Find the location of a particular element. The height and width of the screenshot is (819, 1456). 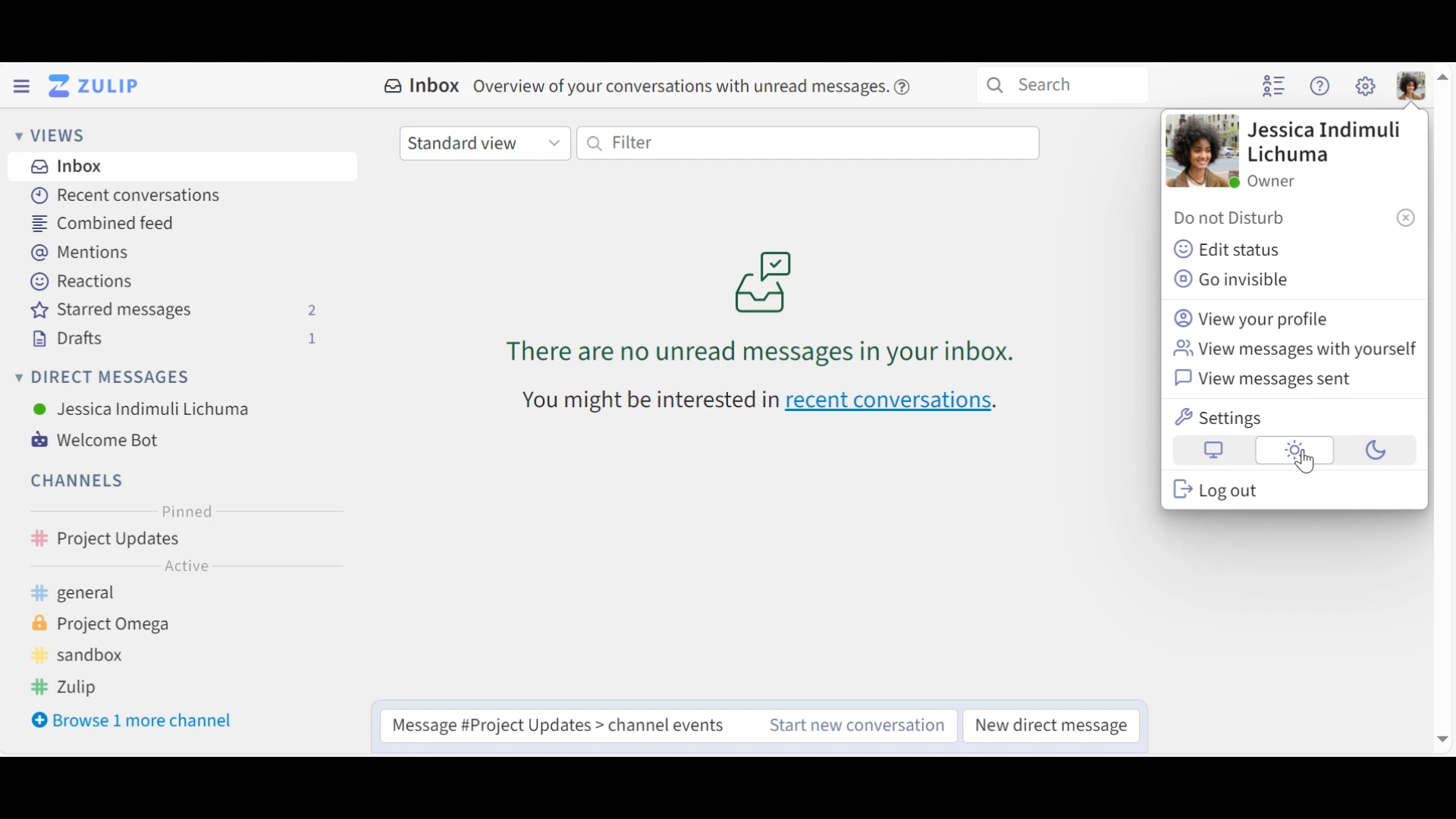

Sandbox is located at coordinates (88, 655).